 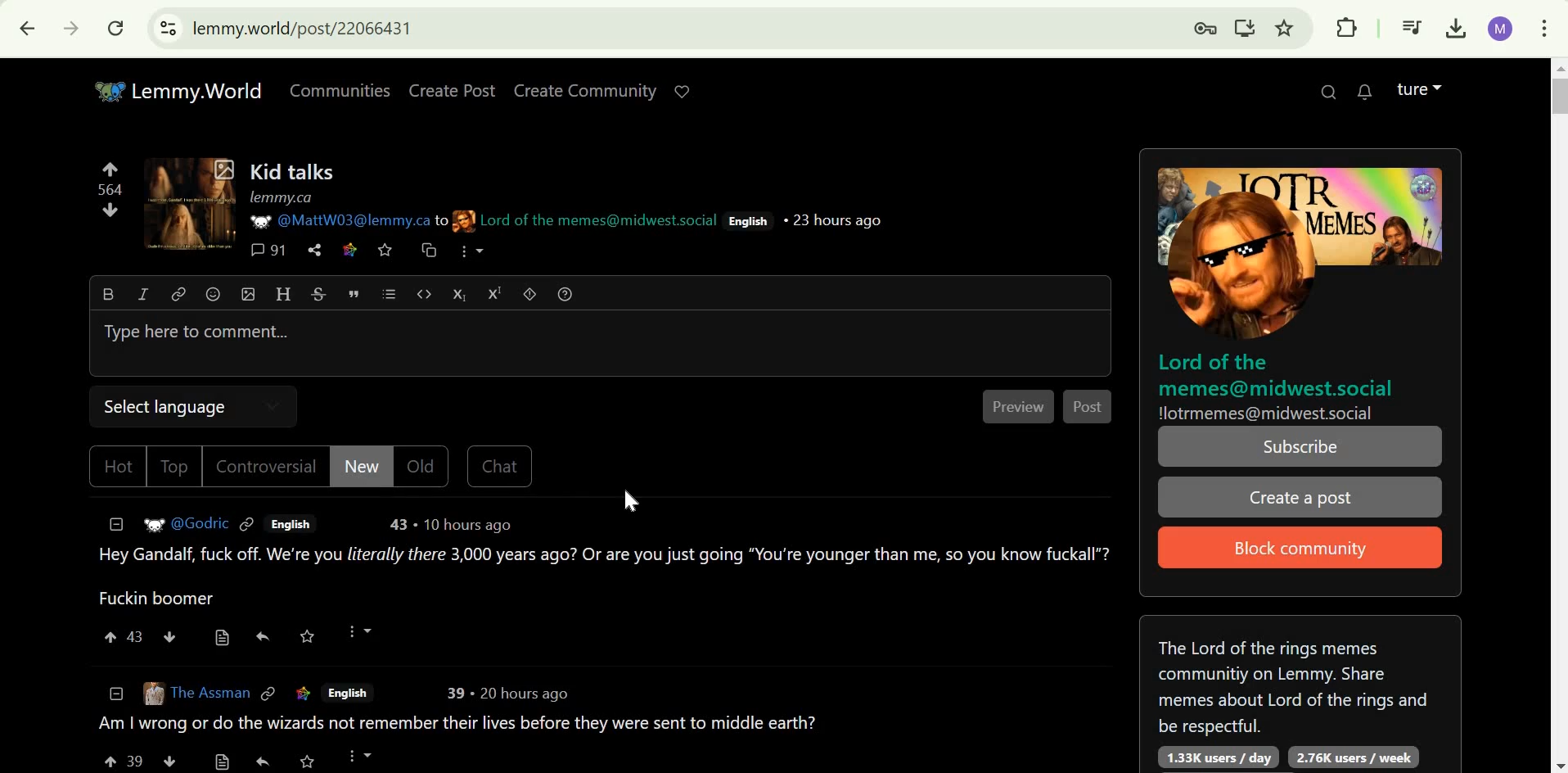 I want to click on code, so click(x=424, y=296).